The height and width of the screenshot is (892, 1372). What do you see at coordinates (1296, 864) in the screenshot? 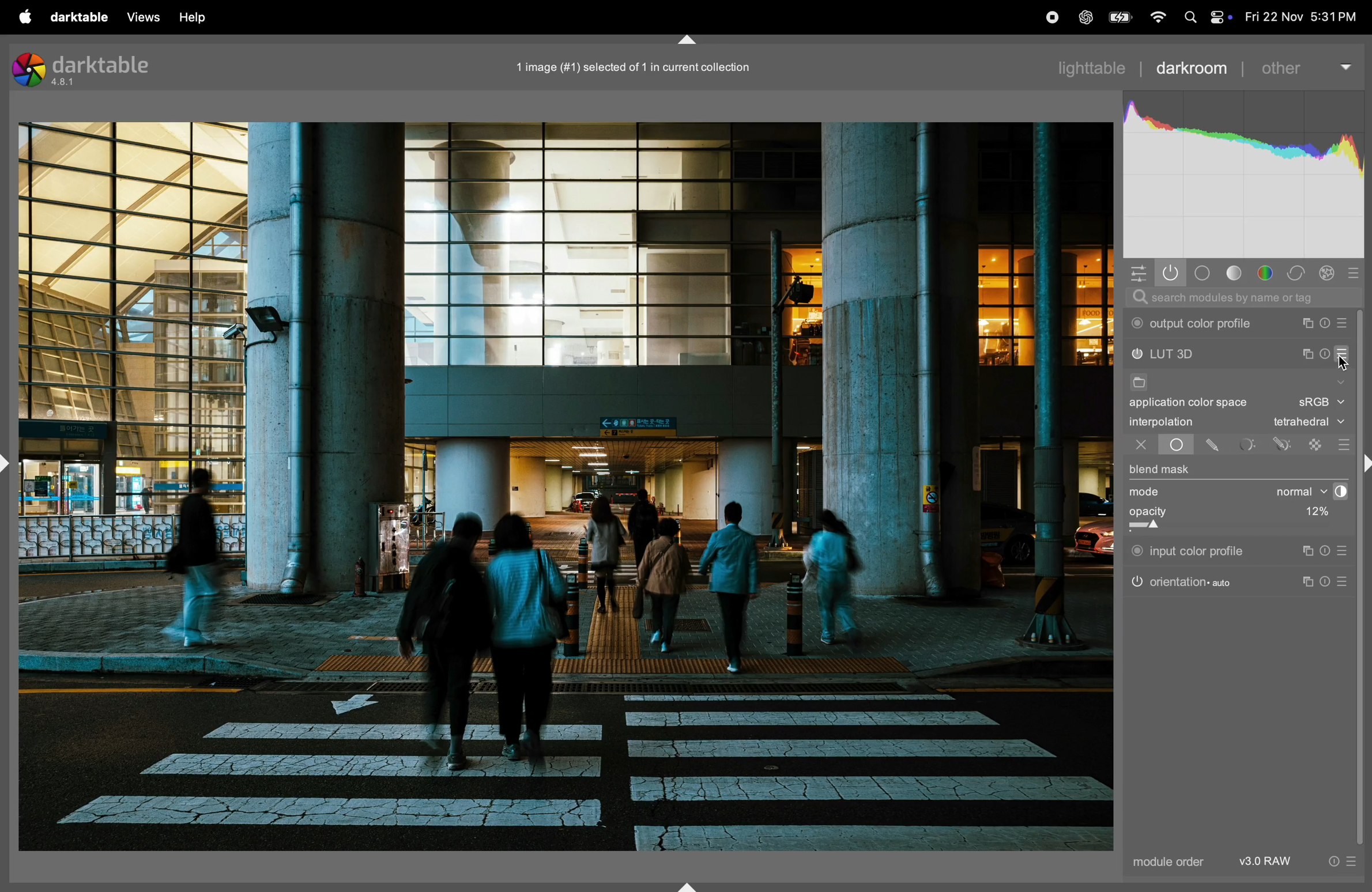
I see `v3.0 raw` at bounding box center [1296, 864].